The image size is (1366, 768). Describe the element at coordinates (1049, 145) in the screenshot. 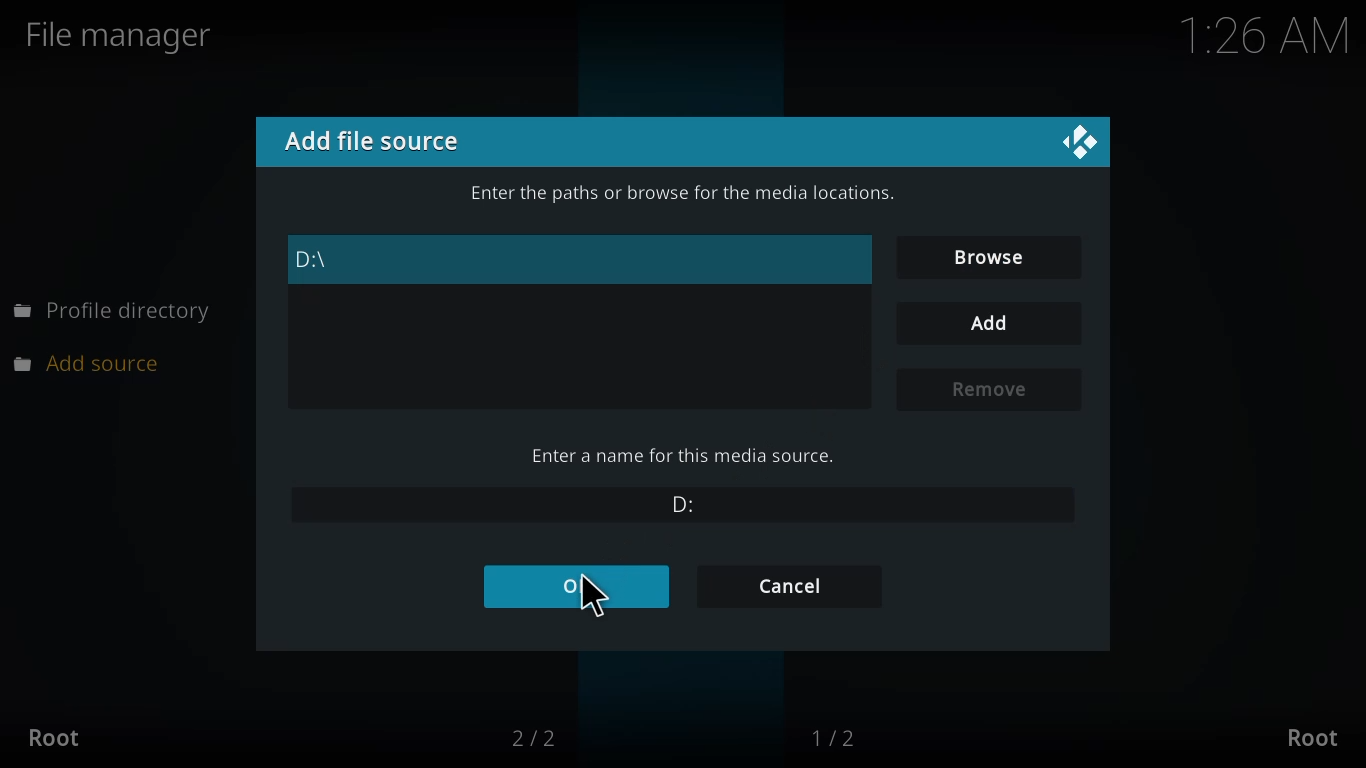

I see `close` at that location.